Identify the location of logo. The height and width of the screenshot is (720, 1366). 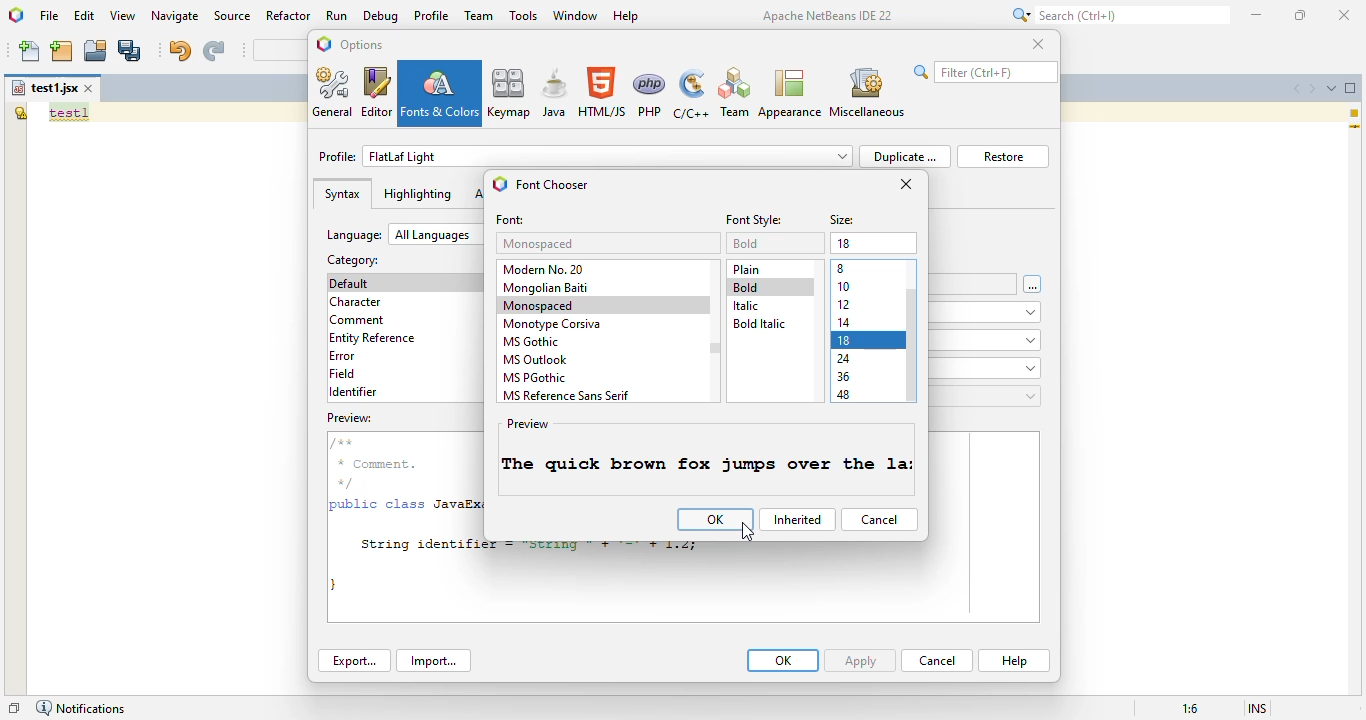
(500, 183).